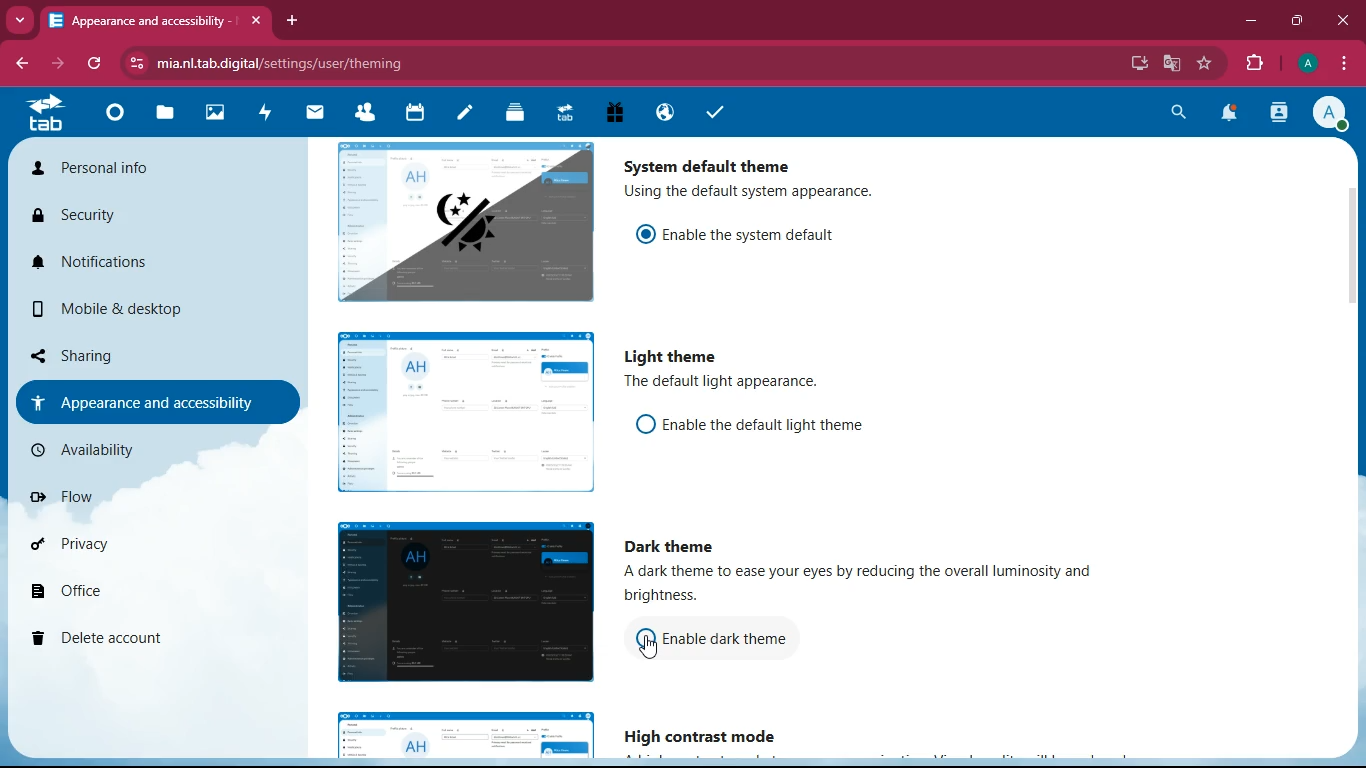  I want to click on description, so click(755, 193).